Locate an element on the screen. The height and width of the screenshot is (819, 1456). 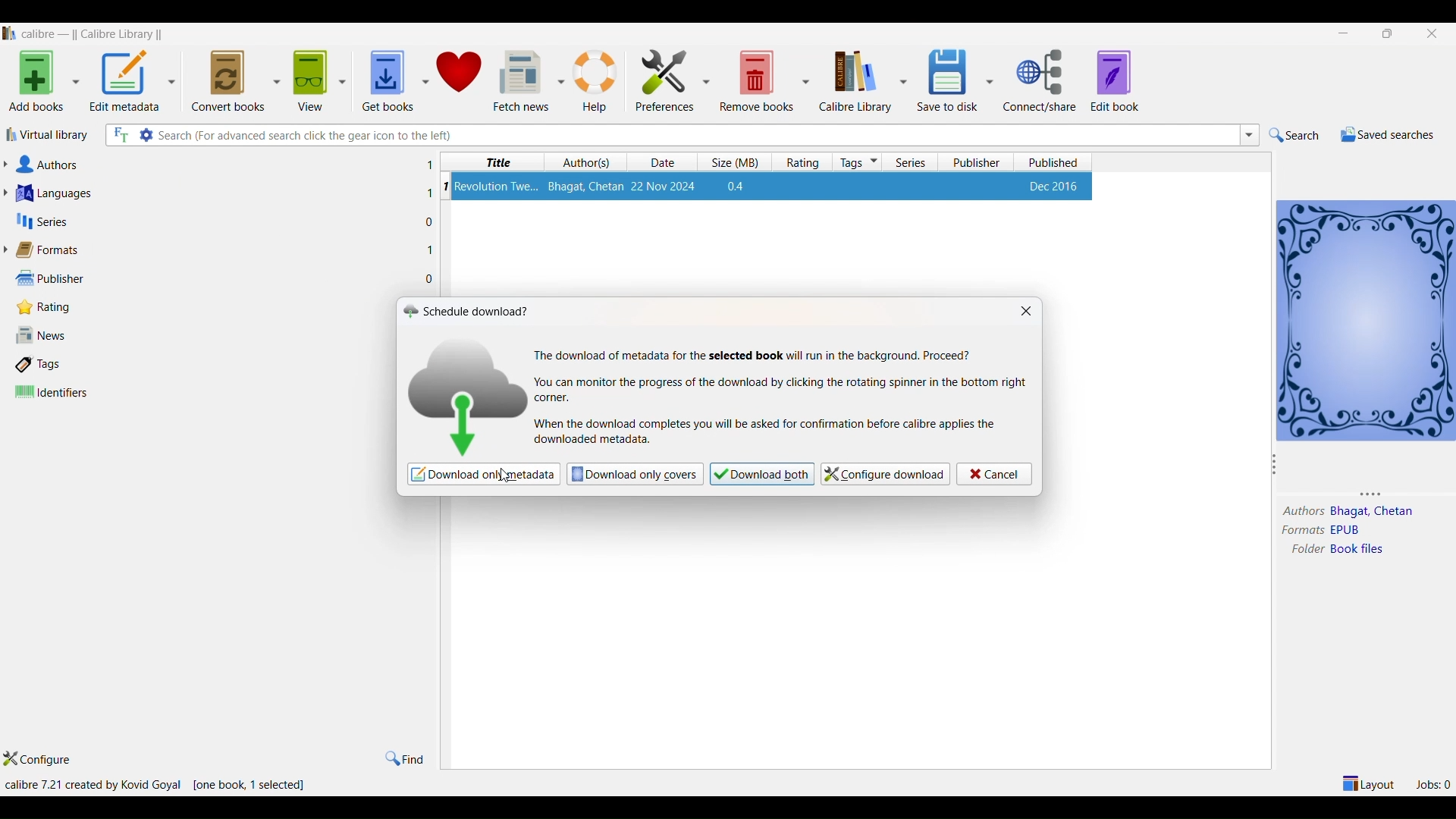
tags is located at coordinates (42, 366).